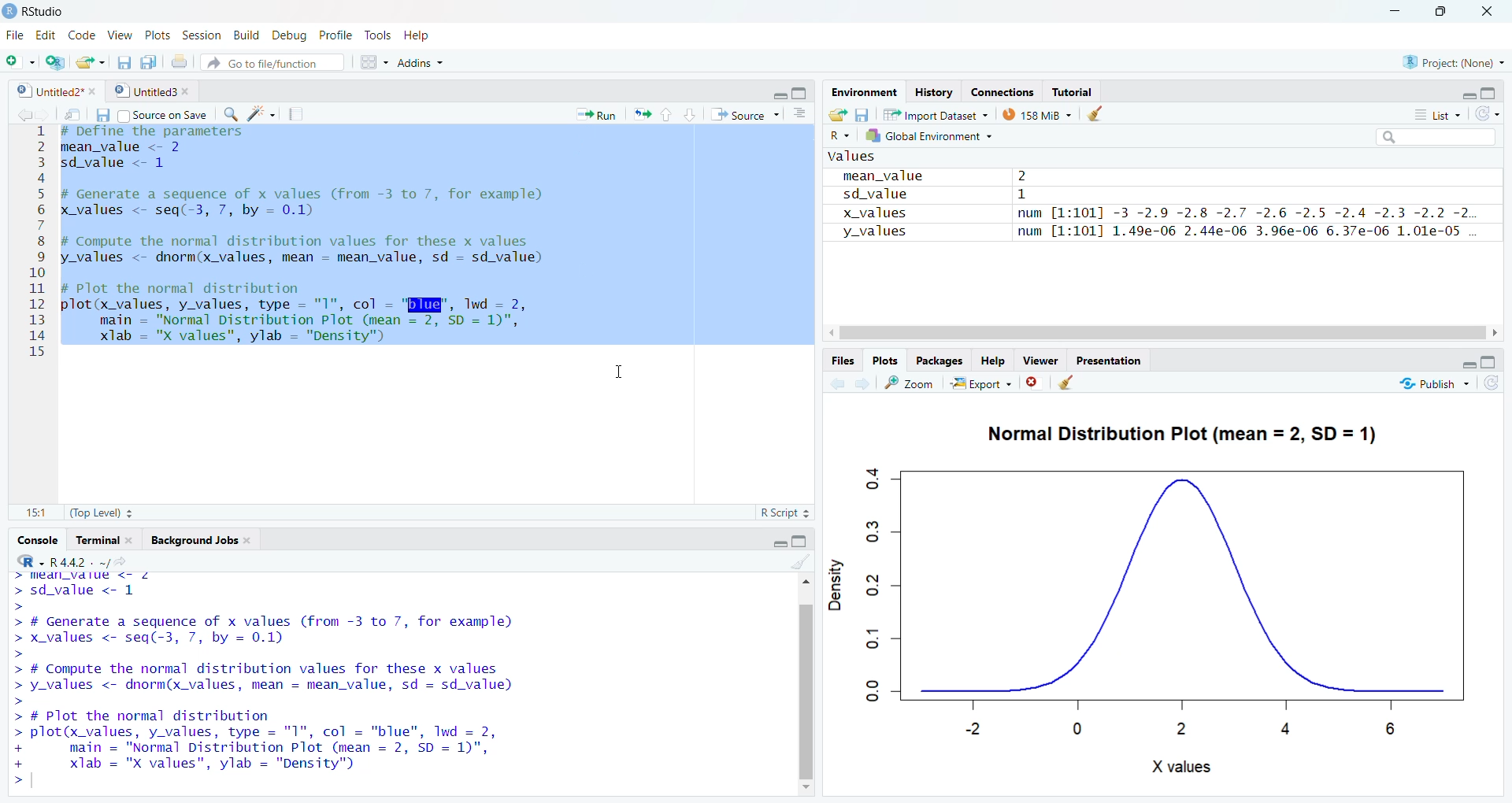 The height and width of the screenshot is (803, 1512). I want to click on Untitled, so click(154, 90).